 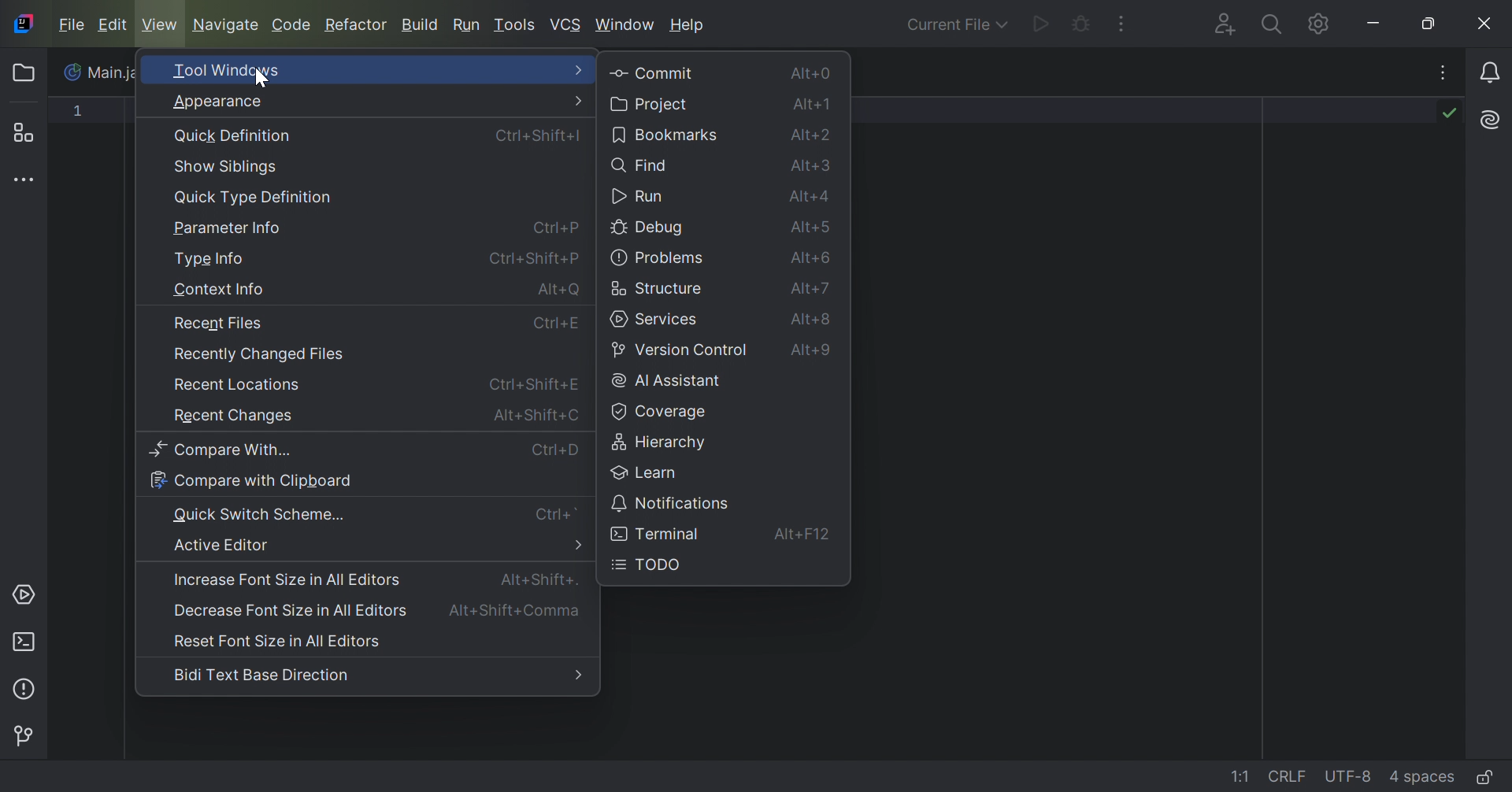 What do you see at coordinates (808, 73) in the screenshot?
I see `Alt+0` at bounding box center [808, 73].